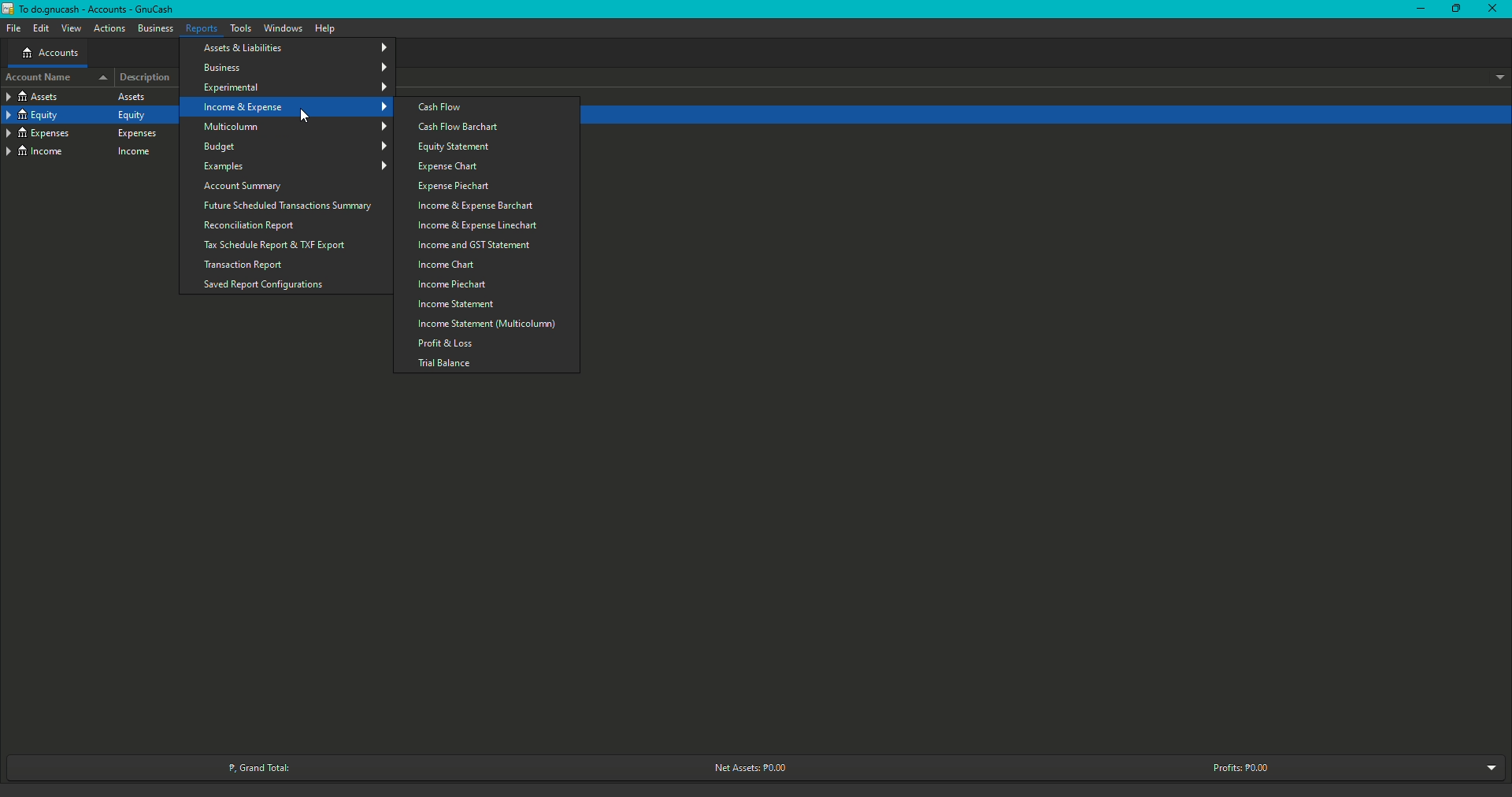  I want to click on Restore, so click(1417, 11).